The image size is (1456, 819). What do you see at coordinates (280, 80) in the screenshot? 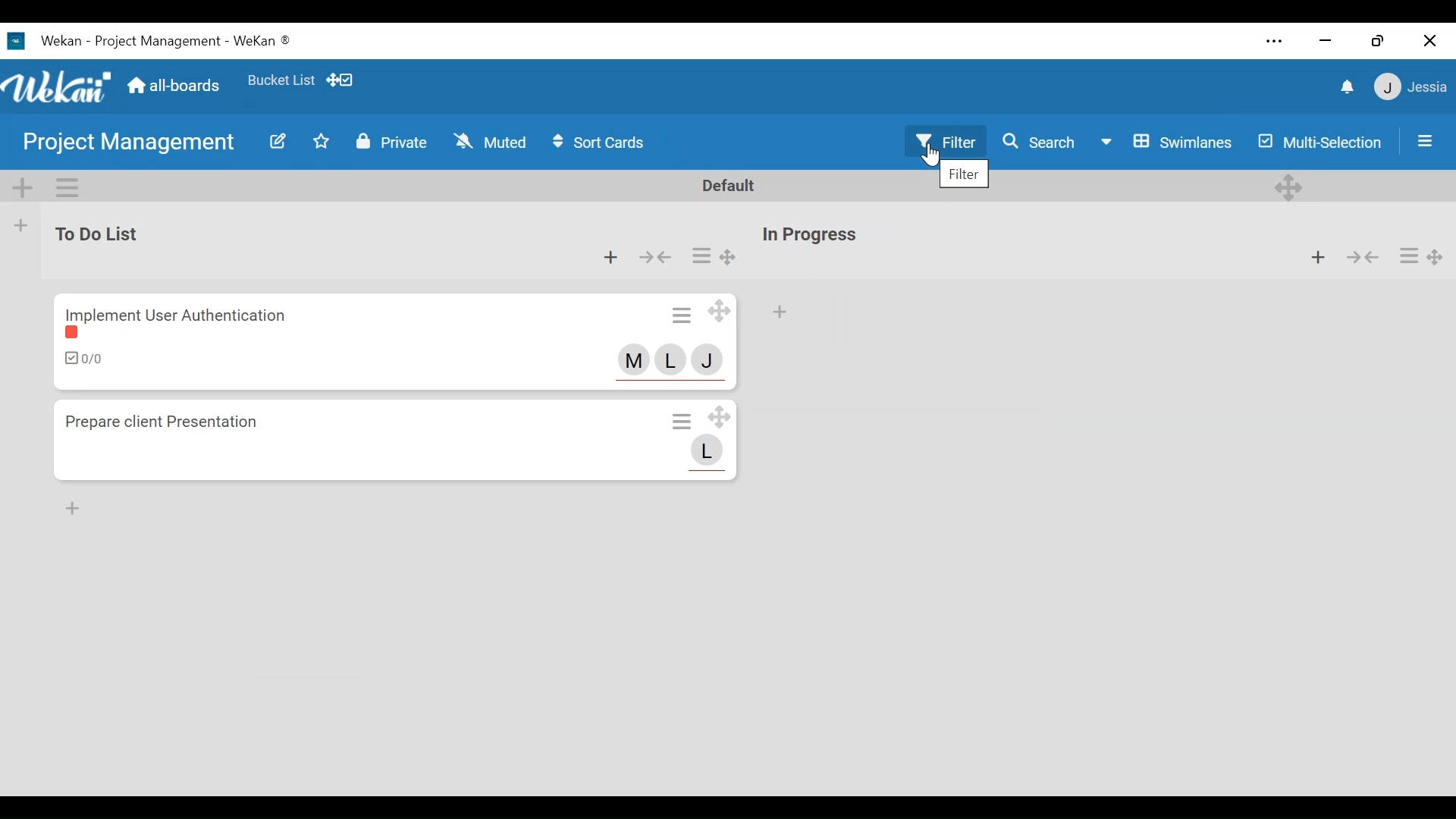
I see `Favorite` at bounding box center [280, 80].